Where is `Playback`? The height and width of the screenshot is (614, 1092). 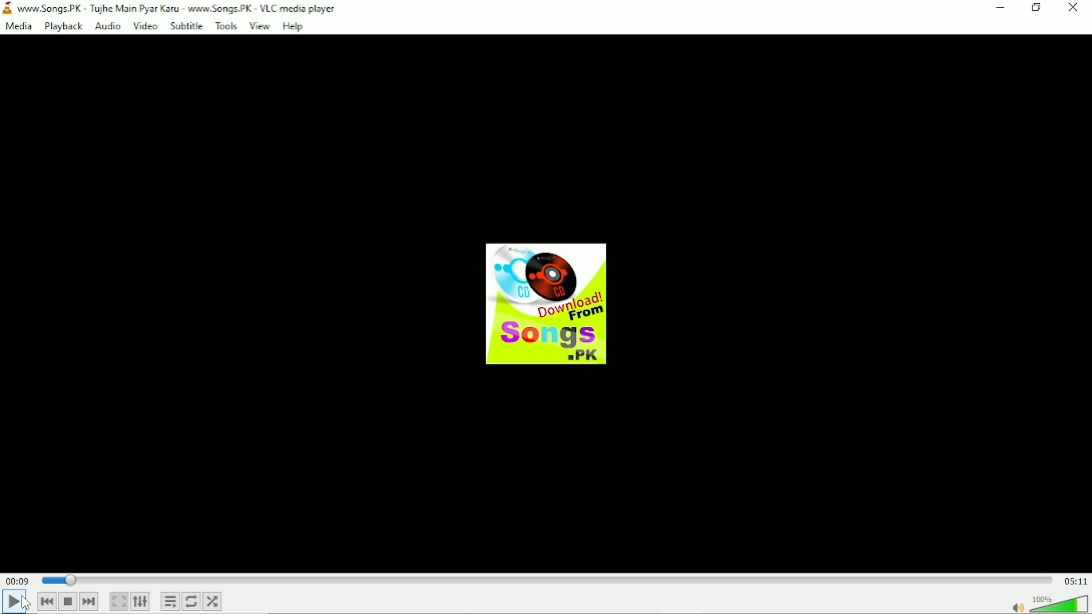 Playback is located at coordinates (61, 26).